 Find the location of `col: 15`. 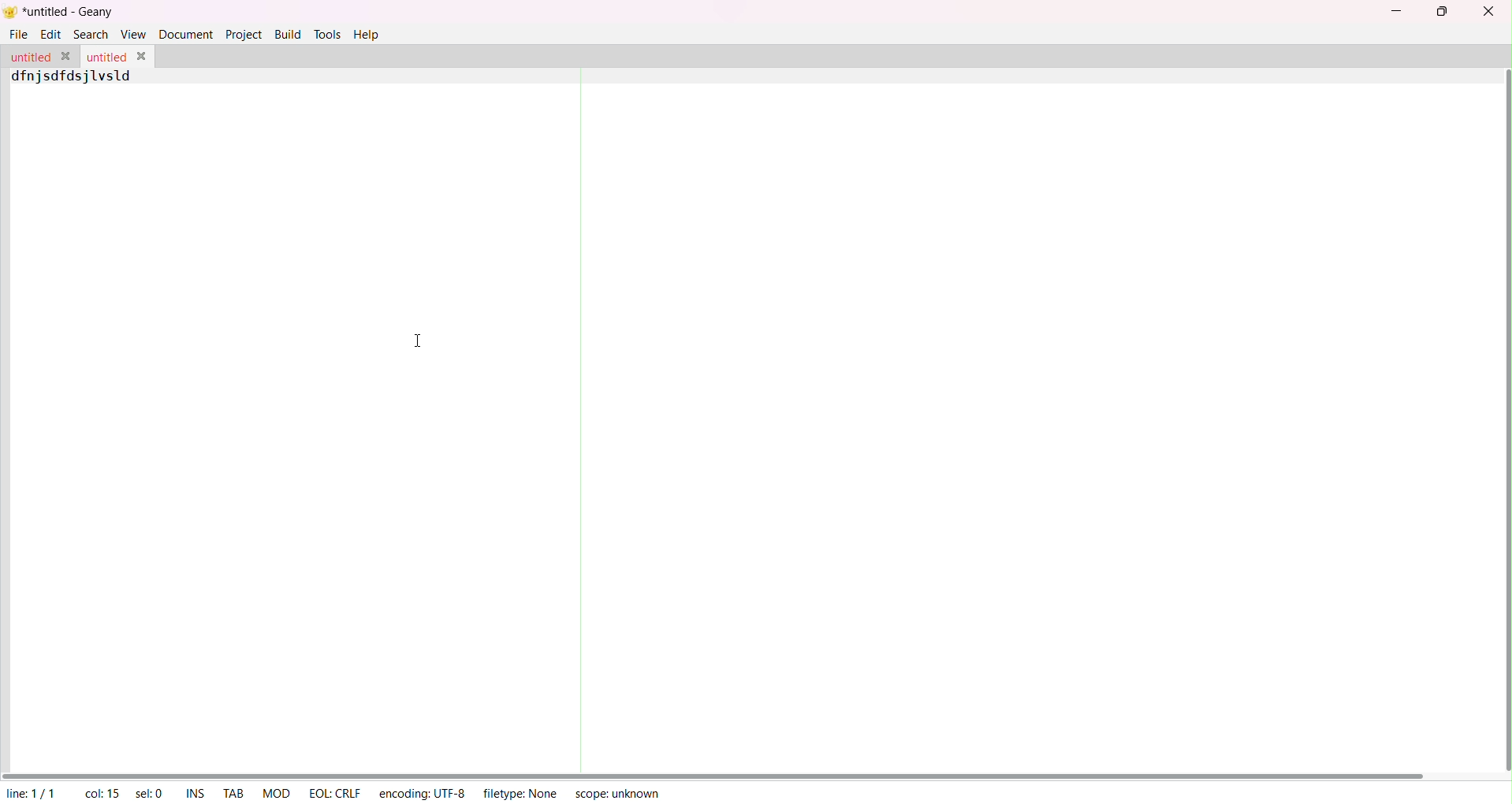

col: 15 is located at coordinates (100, 793).